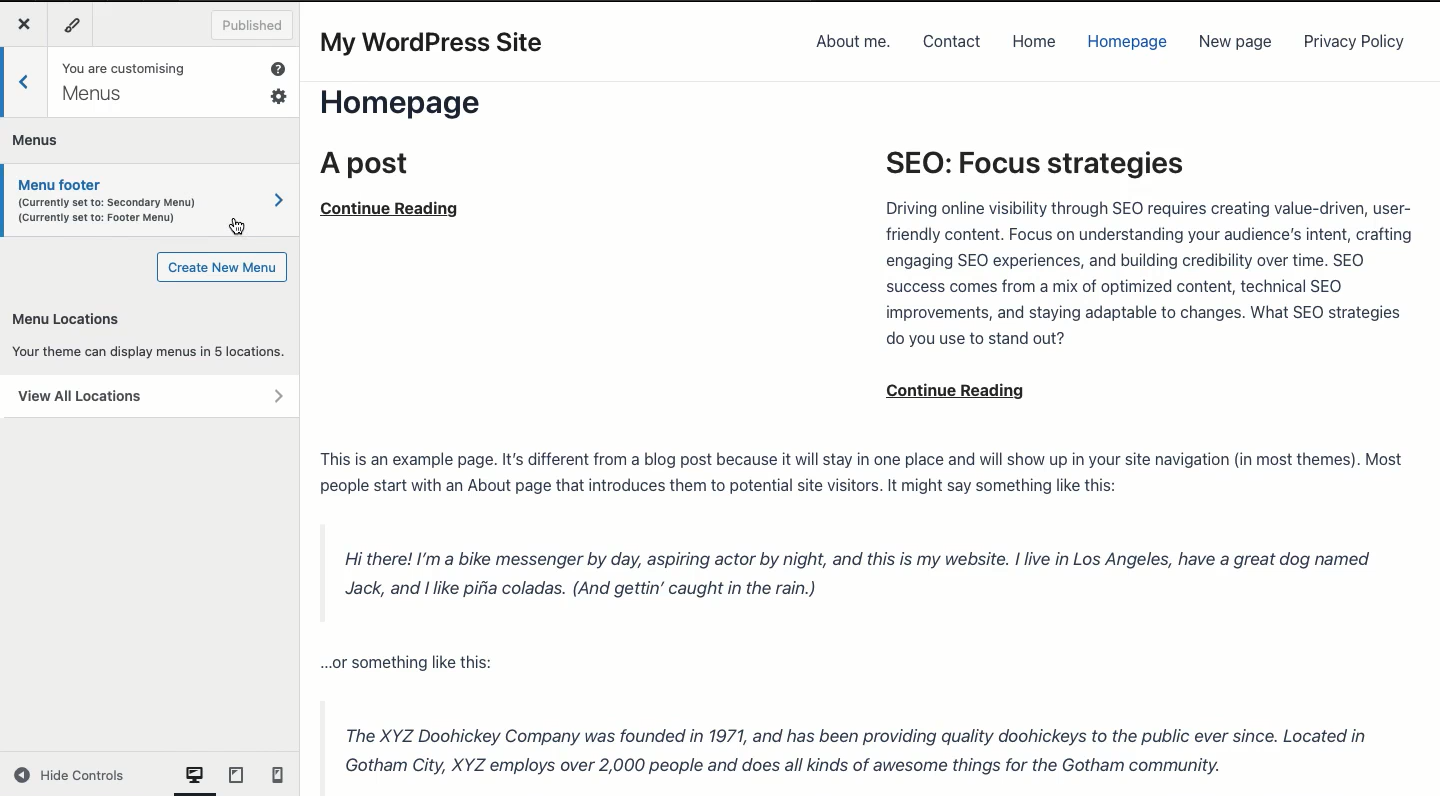 The image size is (1440, 796). Describe the element at coordinates (236, 777) in the screenshot. I see `tablet view` at that location.